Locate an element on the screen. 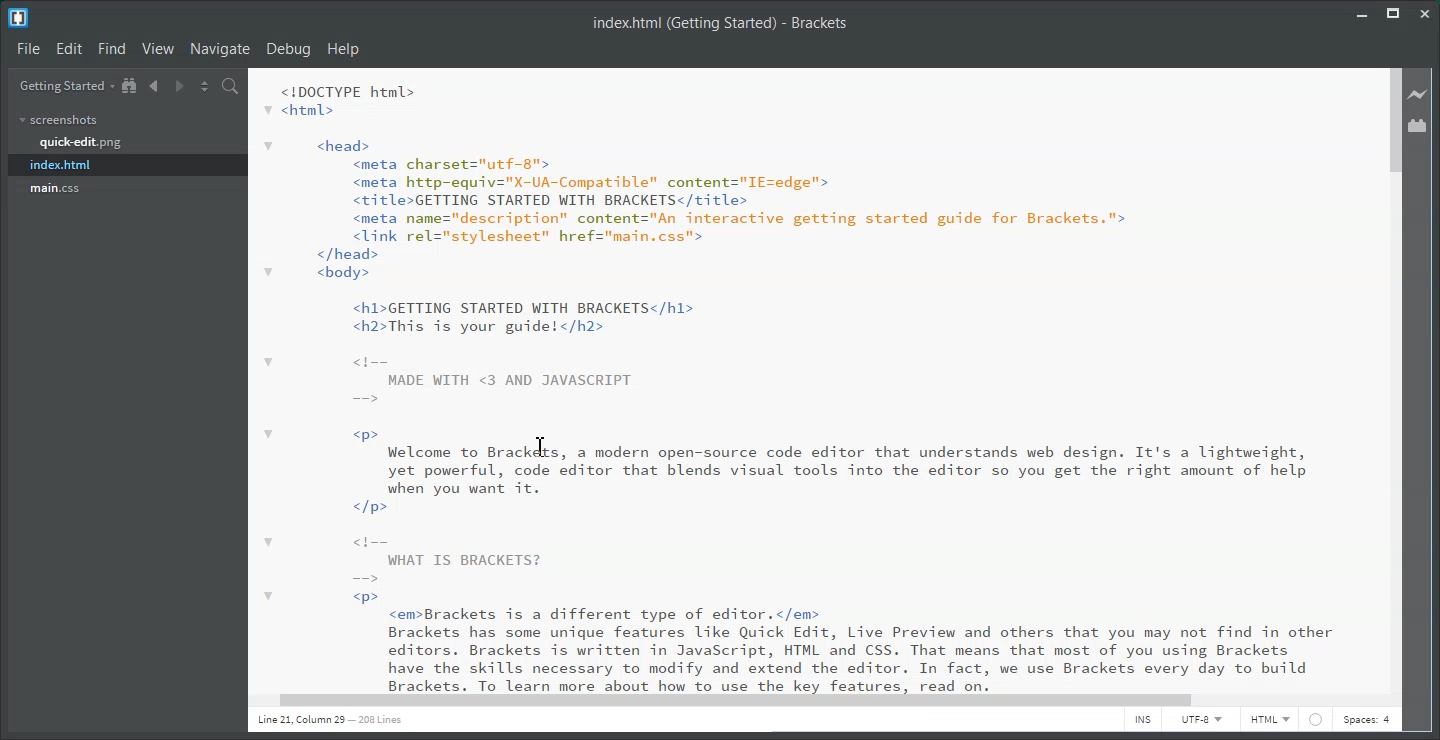 The image size is (1440, 740). File is located at coordinates (28, 49).